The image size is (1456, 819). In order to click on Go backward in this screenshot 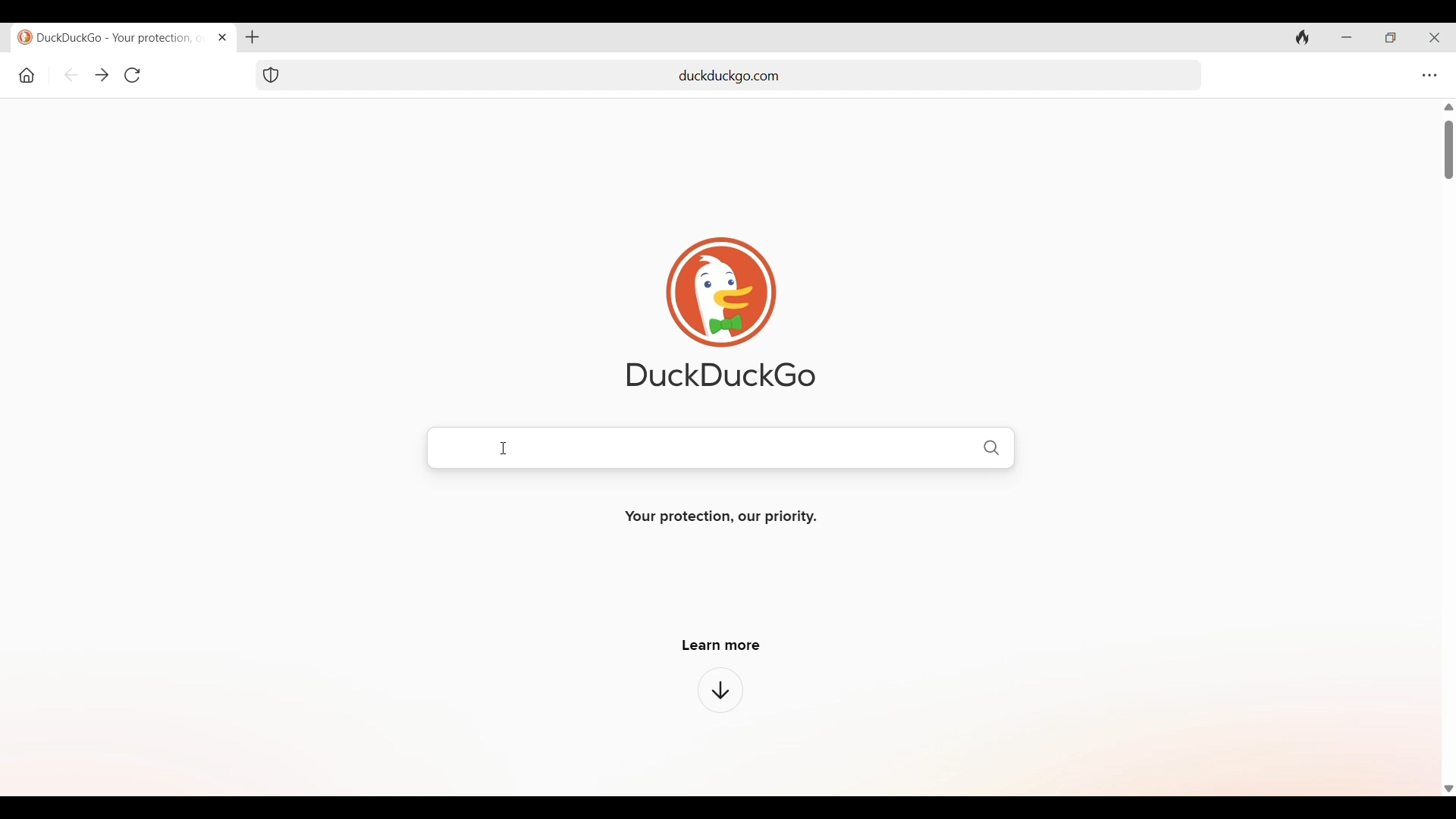, I will do `click(71, 74)`.